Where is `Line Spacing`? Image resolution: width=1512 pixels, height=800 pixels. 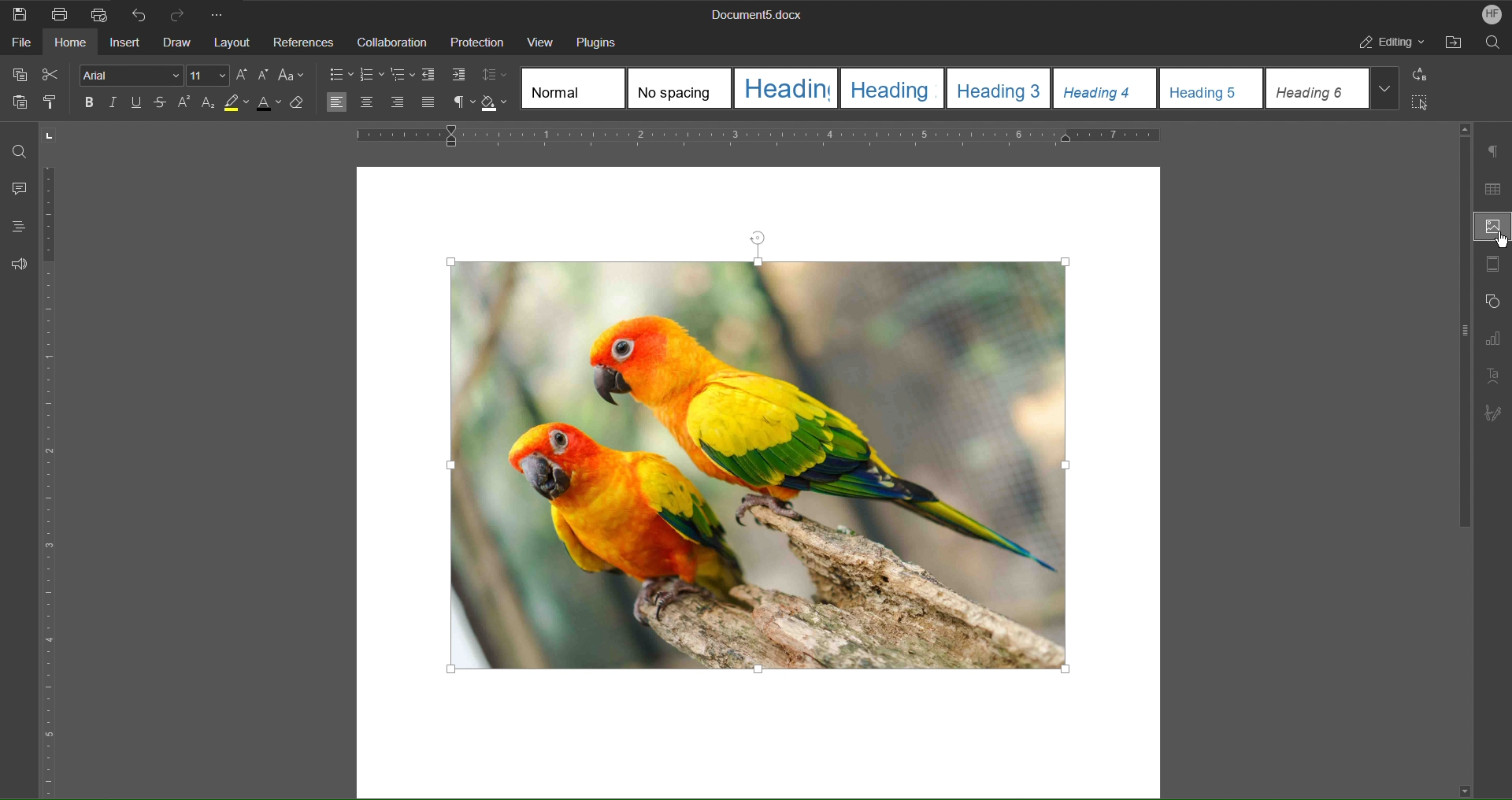
Line Spacing is located at coordinates (497, 76).